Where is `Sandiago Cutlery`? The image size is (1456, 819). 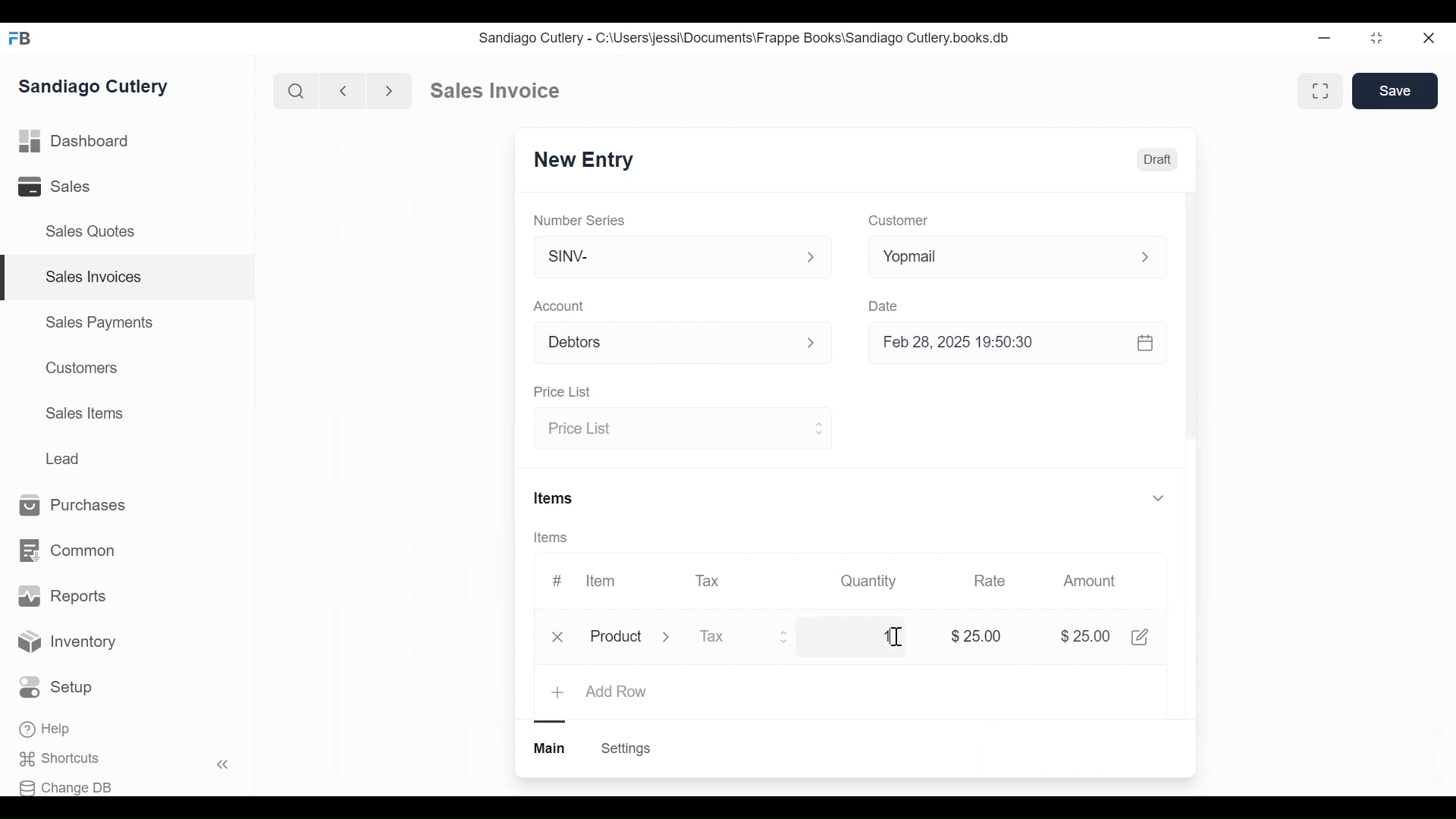 Sandiago Cutlery is located at coordinates (98, 86).